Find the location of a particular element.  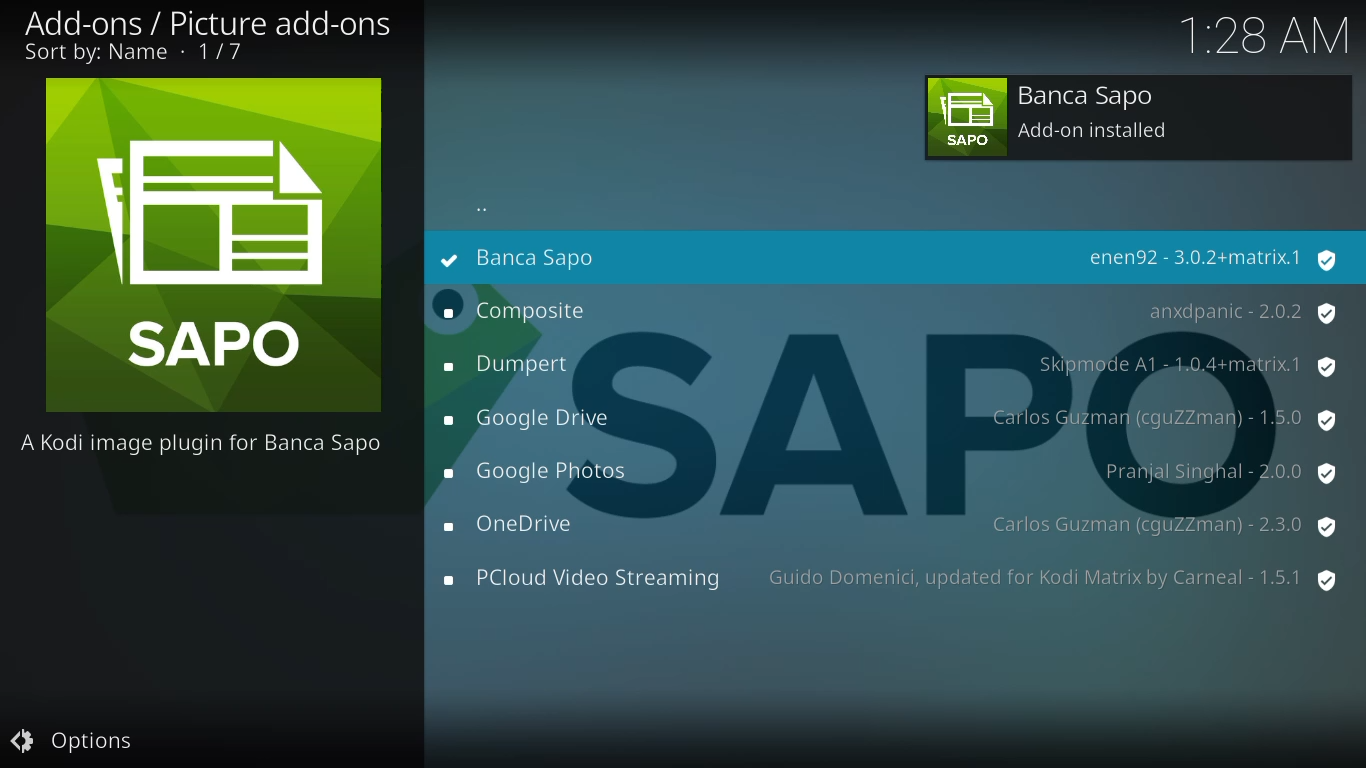

version is located at coordinates (1052, 575).